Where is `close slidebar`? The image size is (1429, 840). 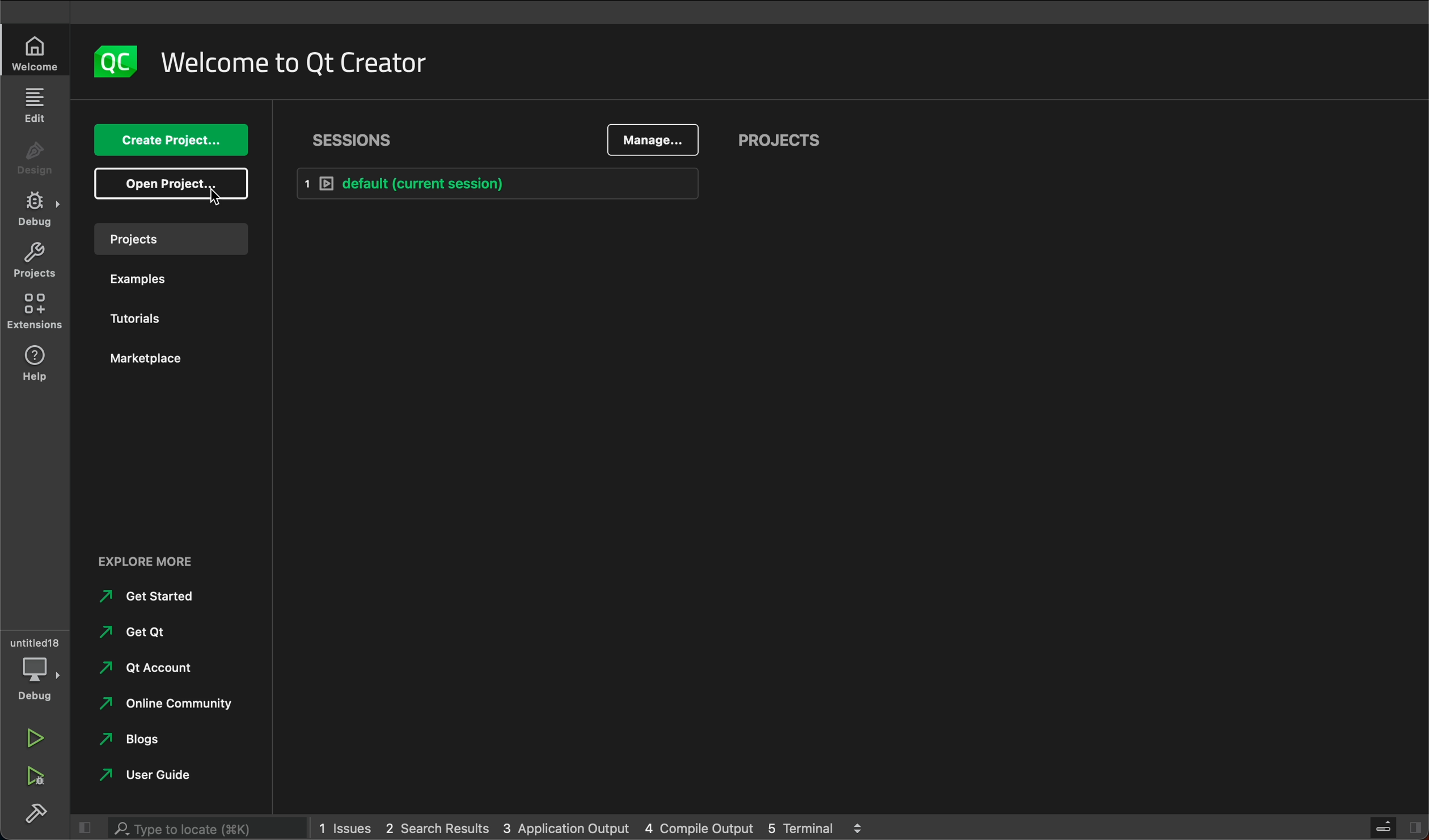 close slidebar is located at coordinates (85, 826).